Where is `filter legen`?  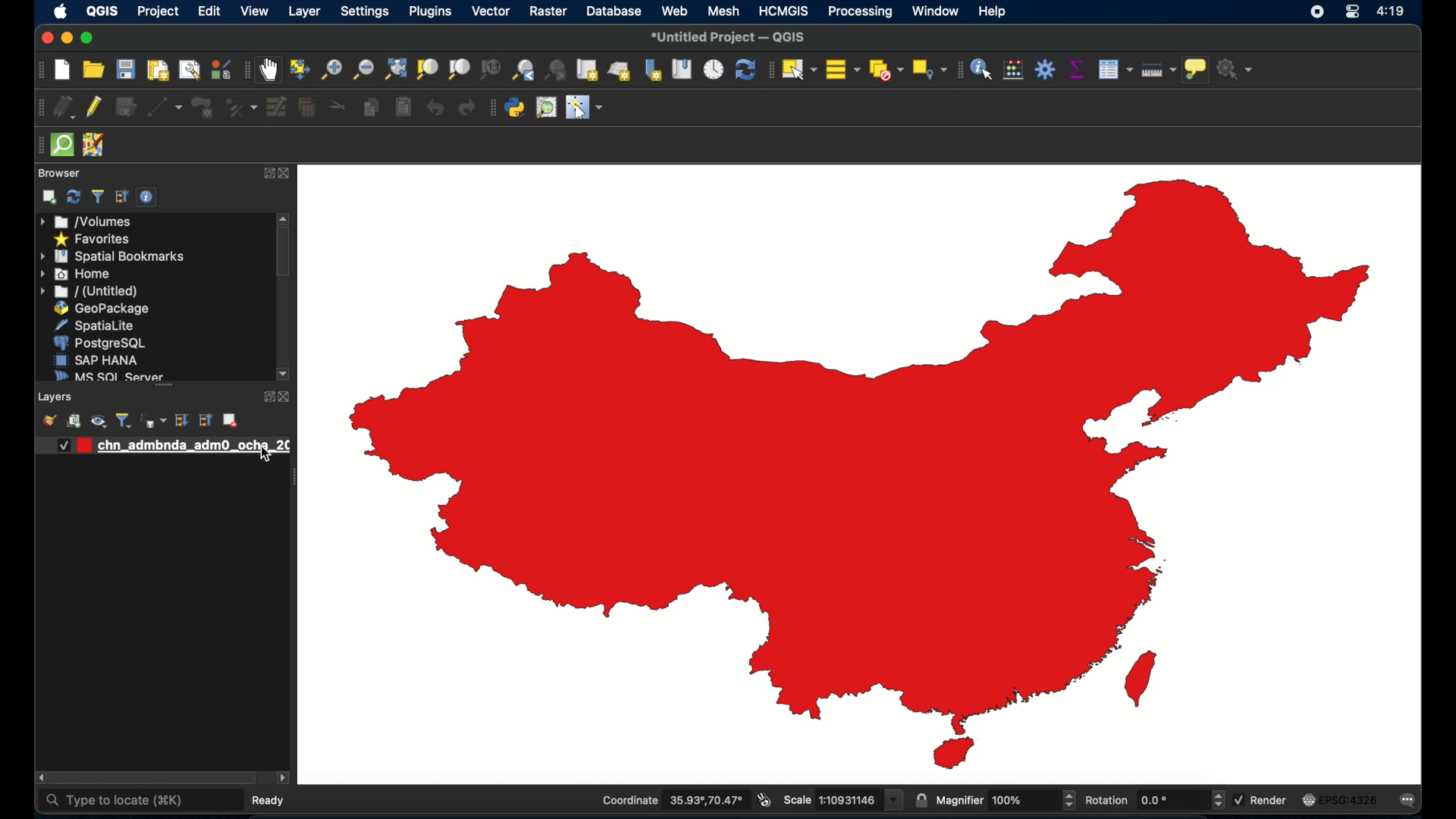
filter legen is located at coordinates (124, 420).